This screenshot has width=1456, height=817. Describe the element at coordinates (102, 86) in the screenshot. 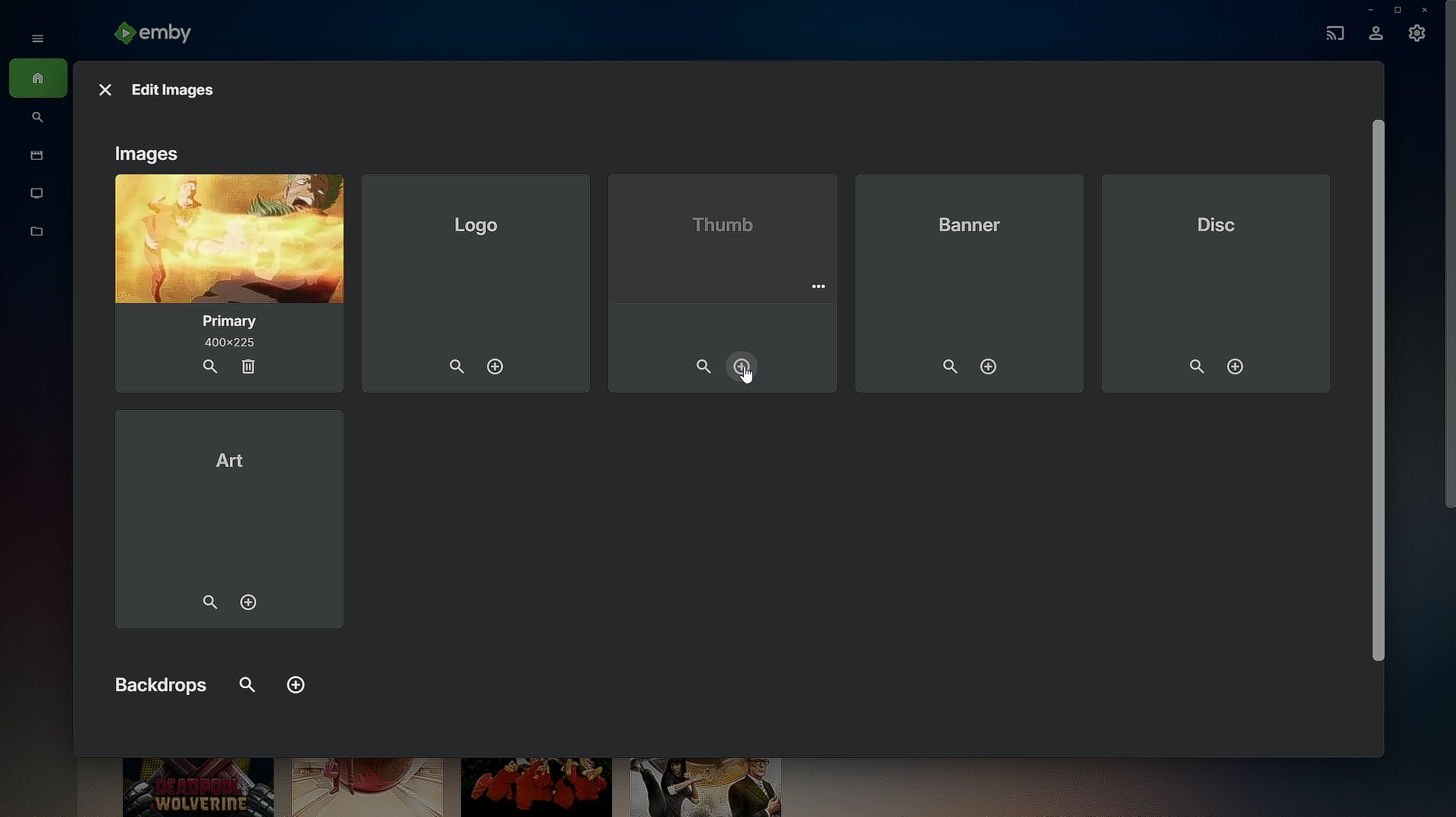

I see `Close` at that location.